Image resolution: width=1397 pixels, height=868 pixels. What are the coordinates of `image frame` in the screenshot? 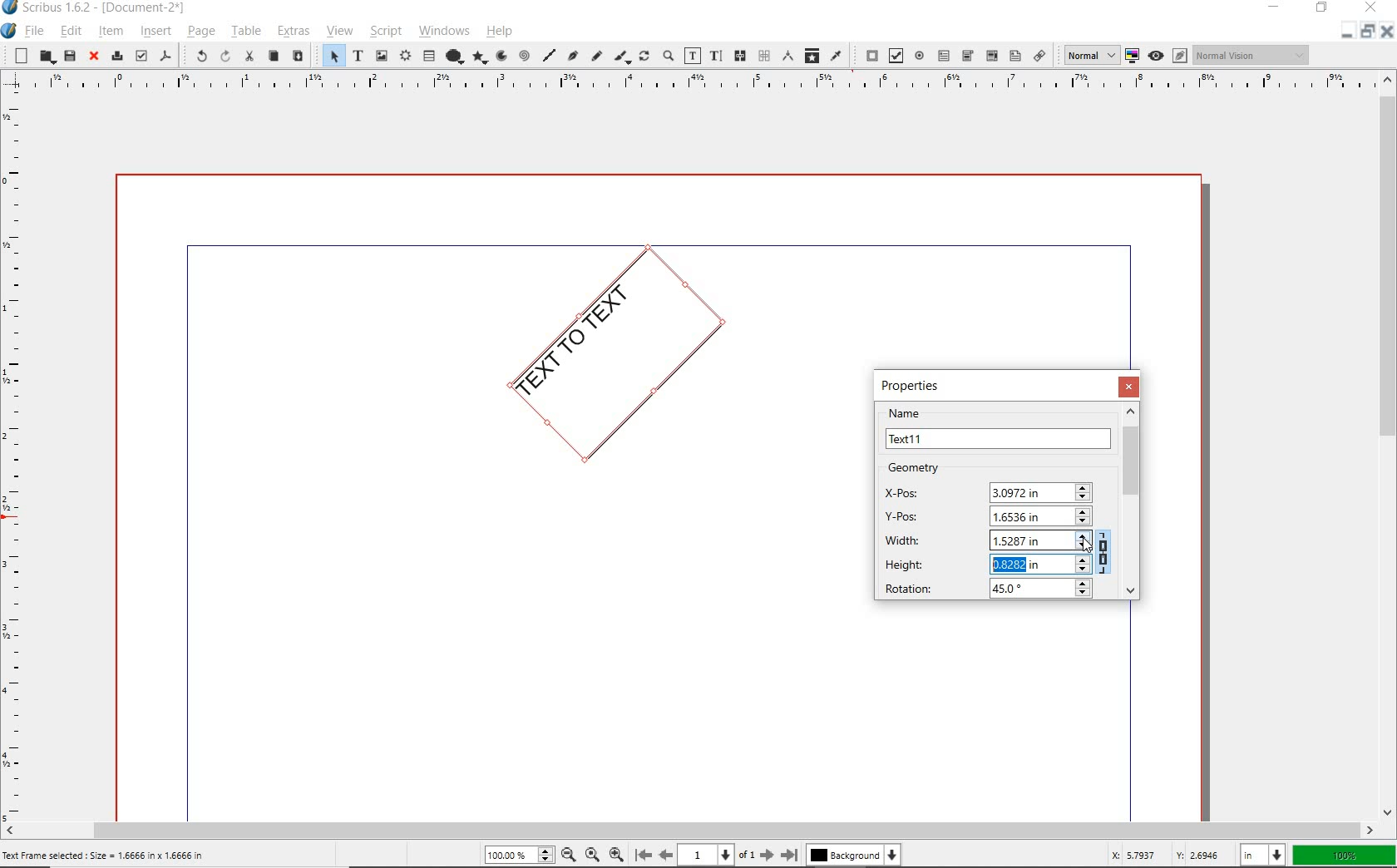 It's located at (383, 57).